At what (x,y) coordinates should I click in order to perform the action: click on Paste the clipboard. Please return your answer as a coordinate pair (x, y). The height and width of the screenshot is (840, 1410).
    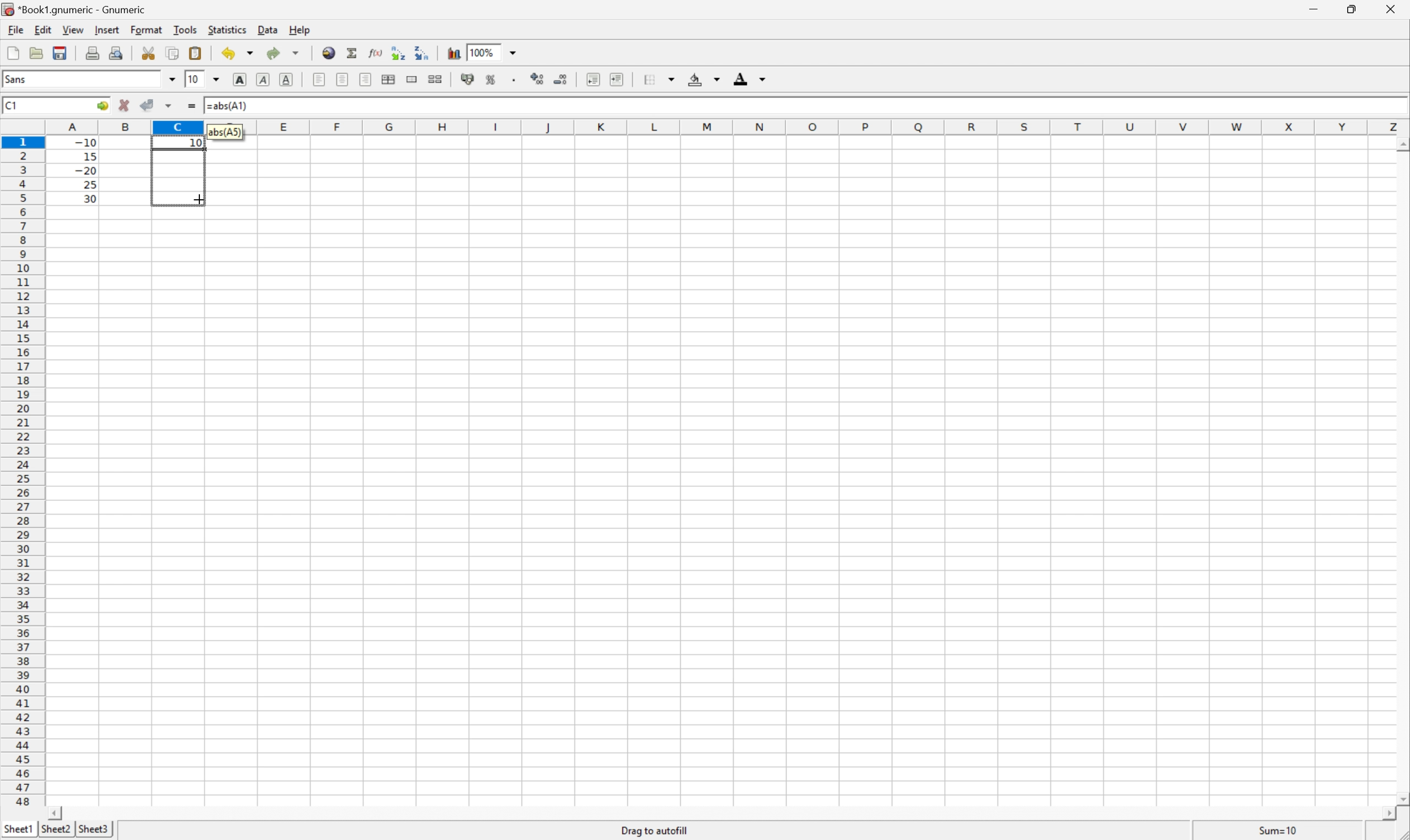
    Looking at the image, I should click on (198, 53).